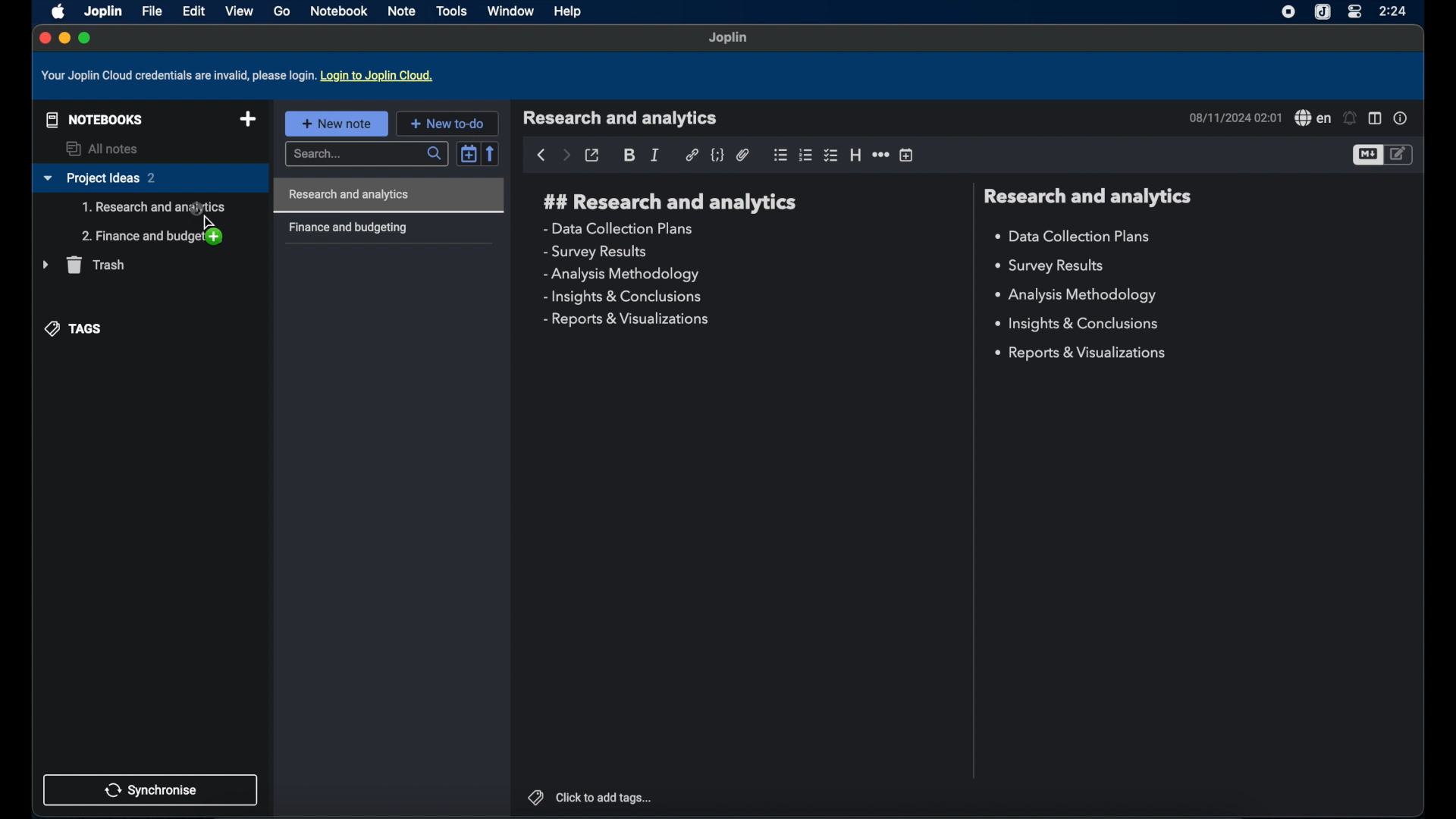  Describe the element at coordinates (43, 37) in the screenshot. I see `close` at that location.